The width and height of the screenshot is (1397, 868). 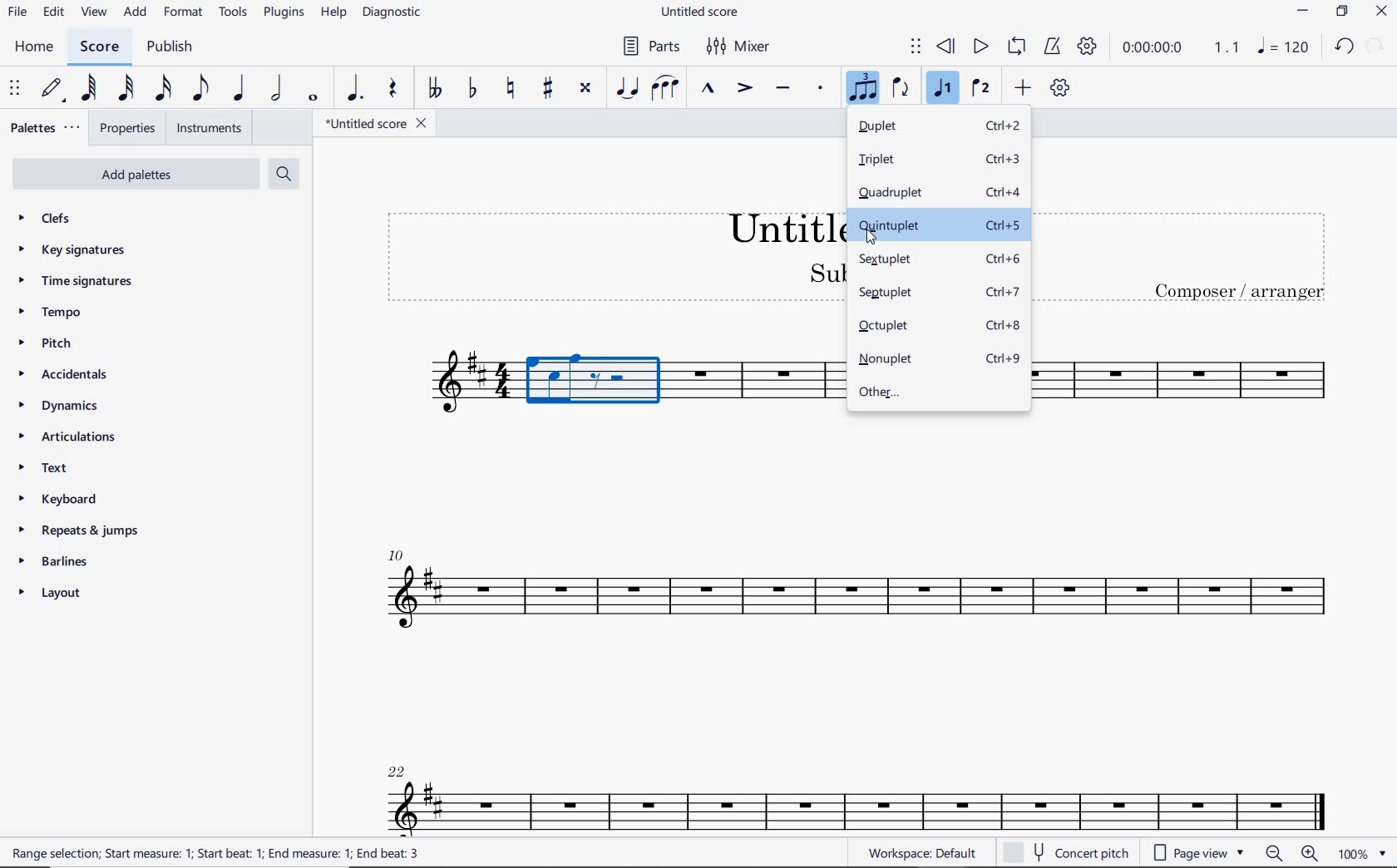 I want to click on CONCERT PITCH, so click(x=1065, y=854).